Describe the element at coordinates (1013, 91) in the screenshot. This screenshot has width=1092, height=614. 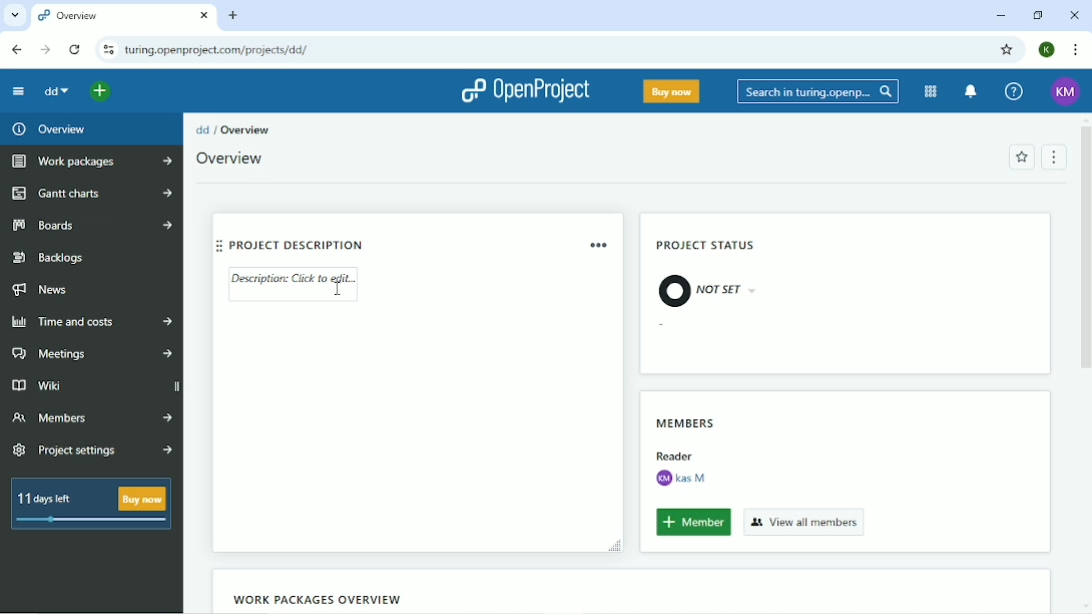
I see `Help` at that location.